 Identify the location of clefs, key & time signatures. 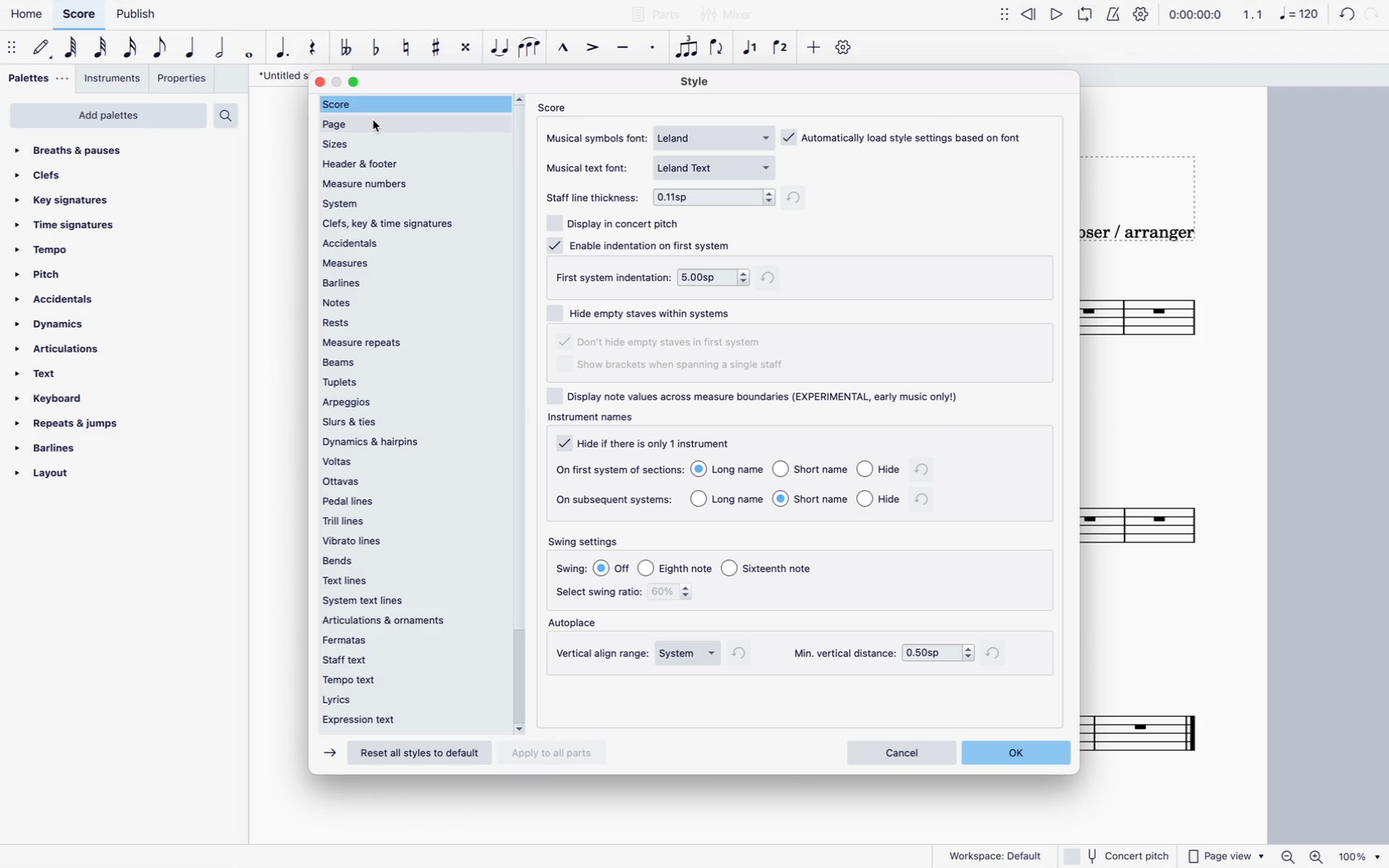
(411, 224).